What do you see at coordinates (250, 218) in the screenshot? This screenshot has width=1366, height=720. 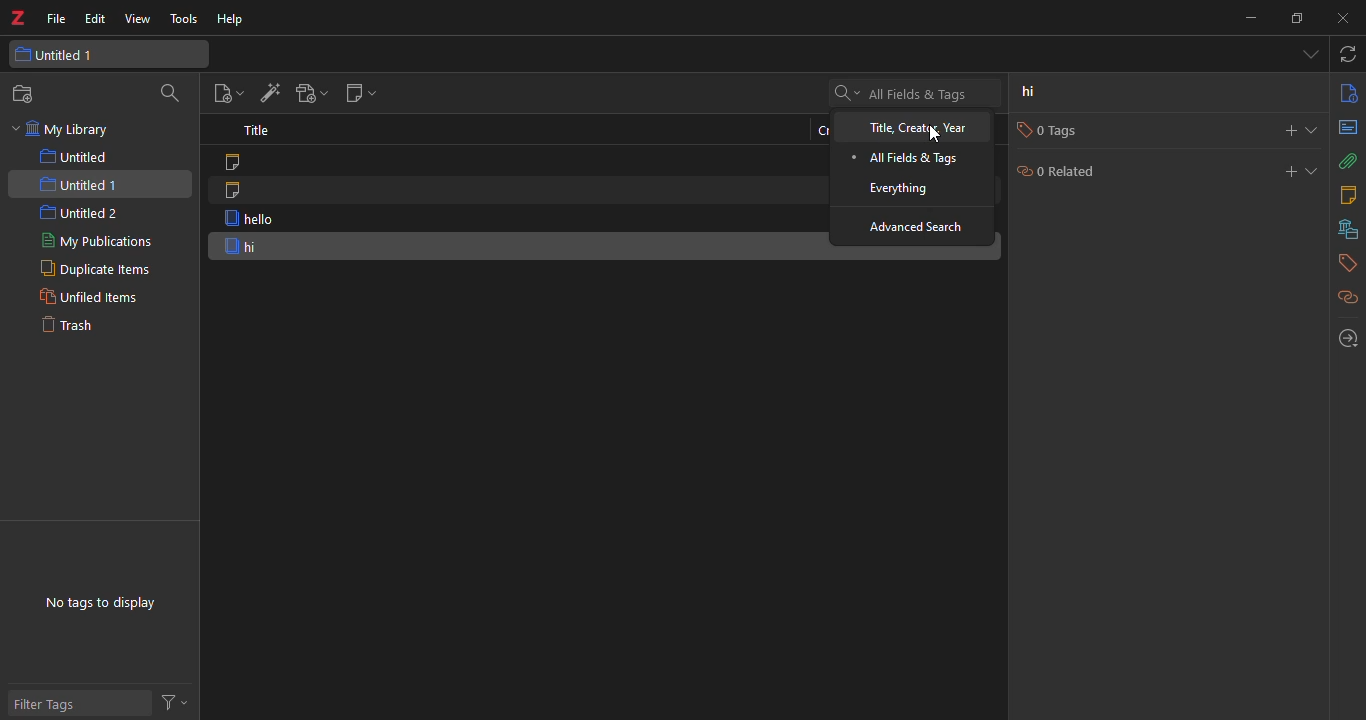 I see `hello` at bounding box center [250, 218].